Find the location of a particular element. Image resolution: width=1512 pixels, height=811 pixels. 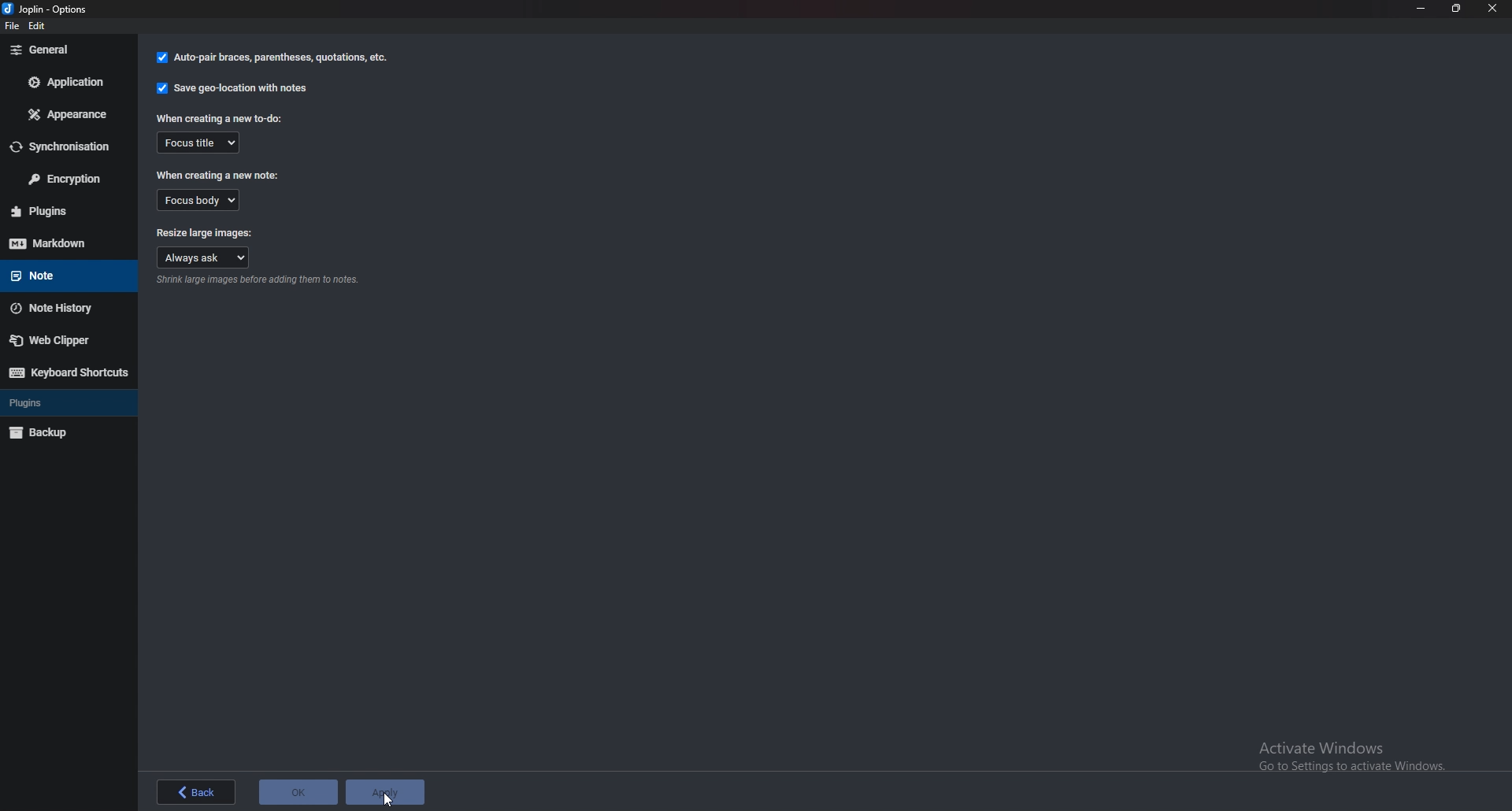

Application is located at coordinates (68, 81).